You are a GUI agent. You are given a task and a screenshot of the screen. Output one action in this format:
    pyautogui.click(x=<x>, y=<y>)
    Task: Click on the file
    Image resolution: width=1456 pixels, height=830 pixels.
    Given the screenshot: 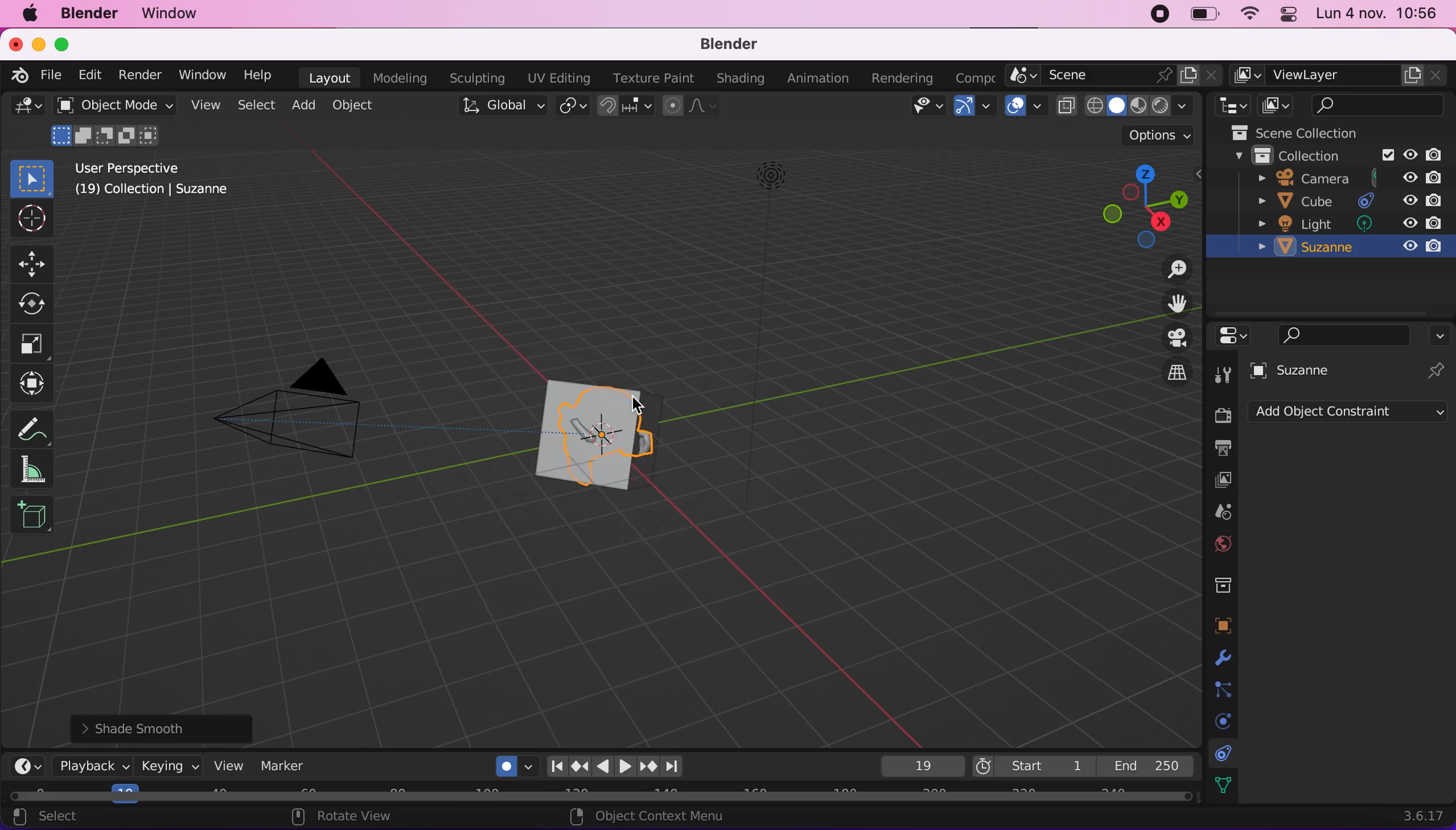 What is the action you would take?
    pyautogui.click(x=53, y=76)
    